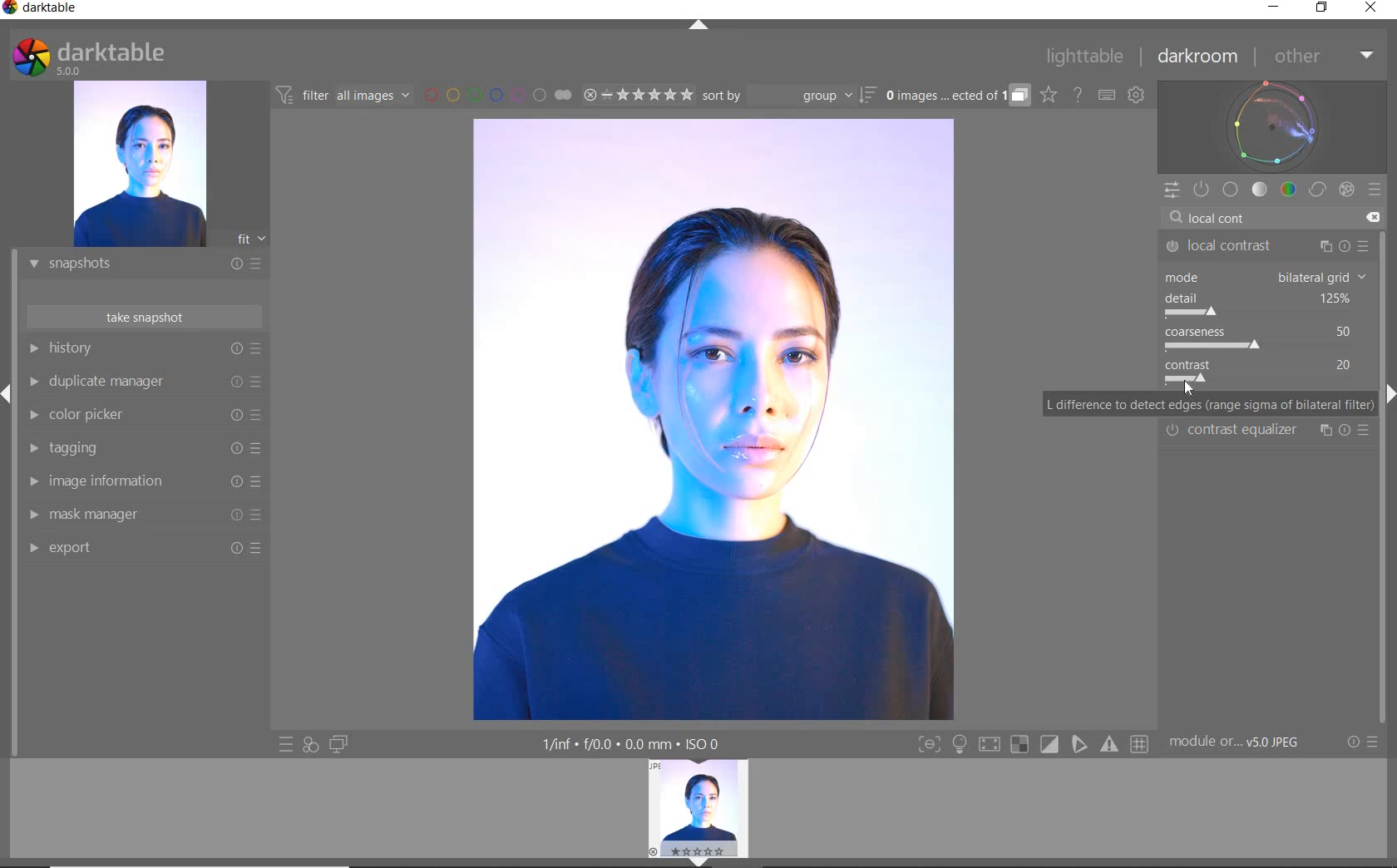 Image resolution: width=1397 pixels, height=868 pixels. What do you see at coordinates (960, 746) in the screenshot?
I see `Button` at bounding box center [960, 746].